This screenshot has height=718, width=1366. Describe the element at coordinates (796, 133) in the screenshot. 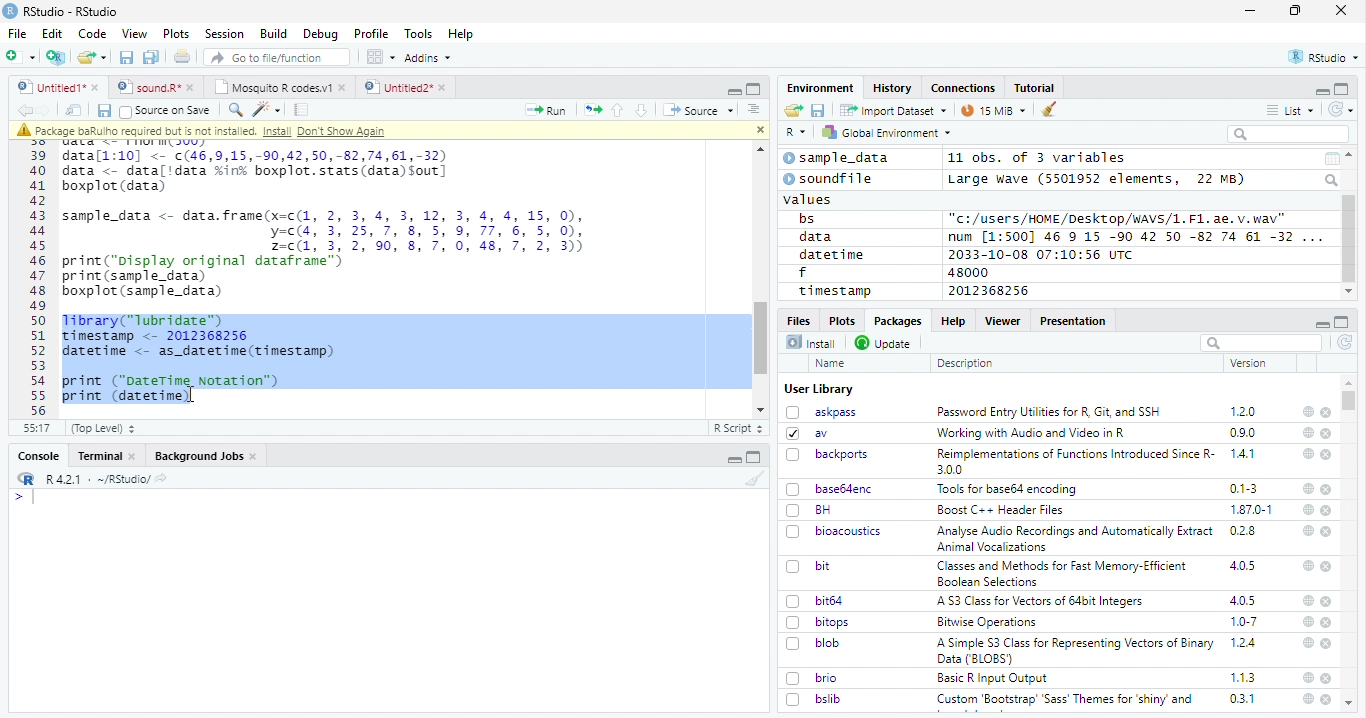

I see `R` at that location.